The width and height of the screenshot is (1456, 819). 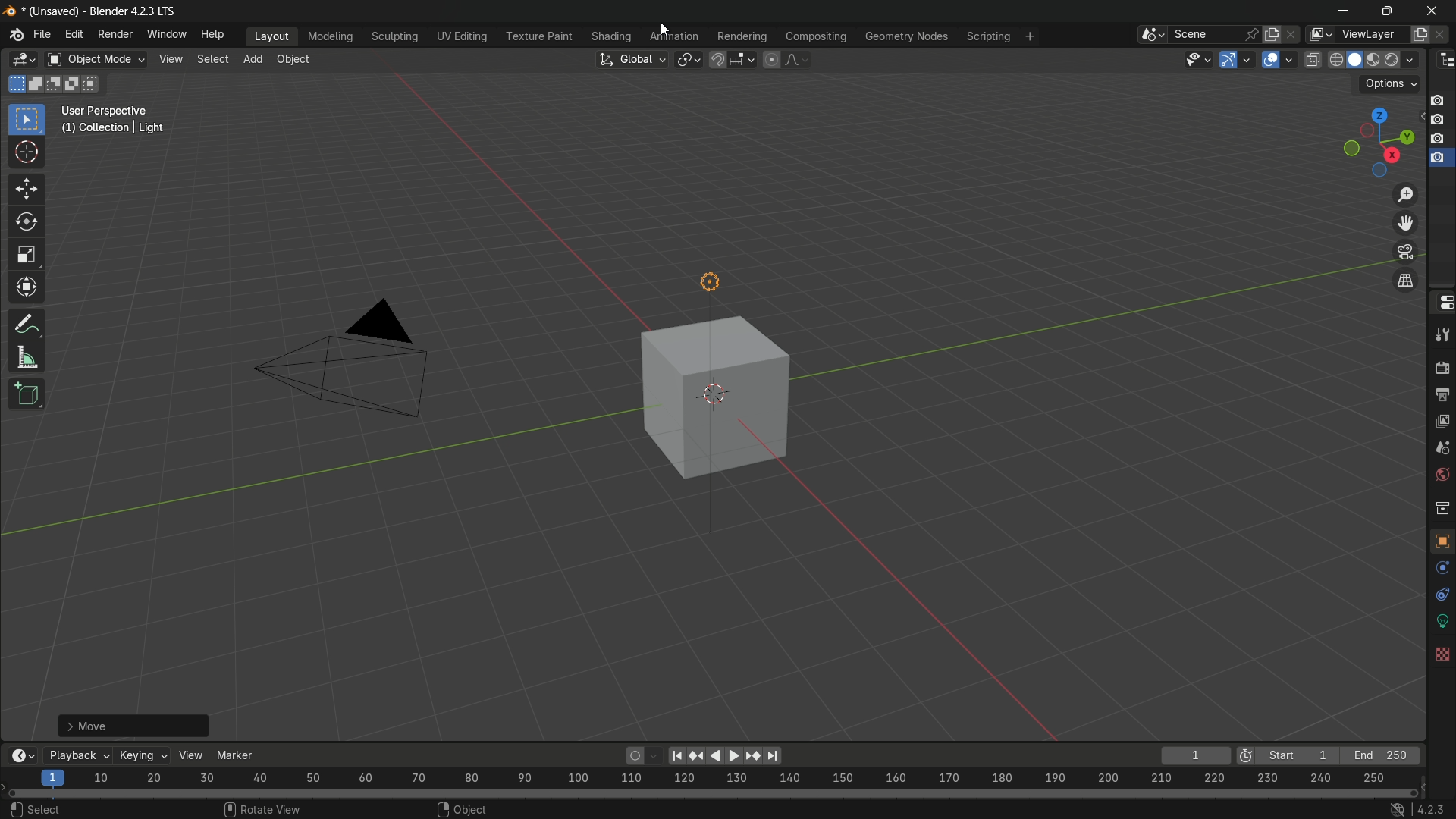 I want to click on solid, so click(x=1354, y=61).